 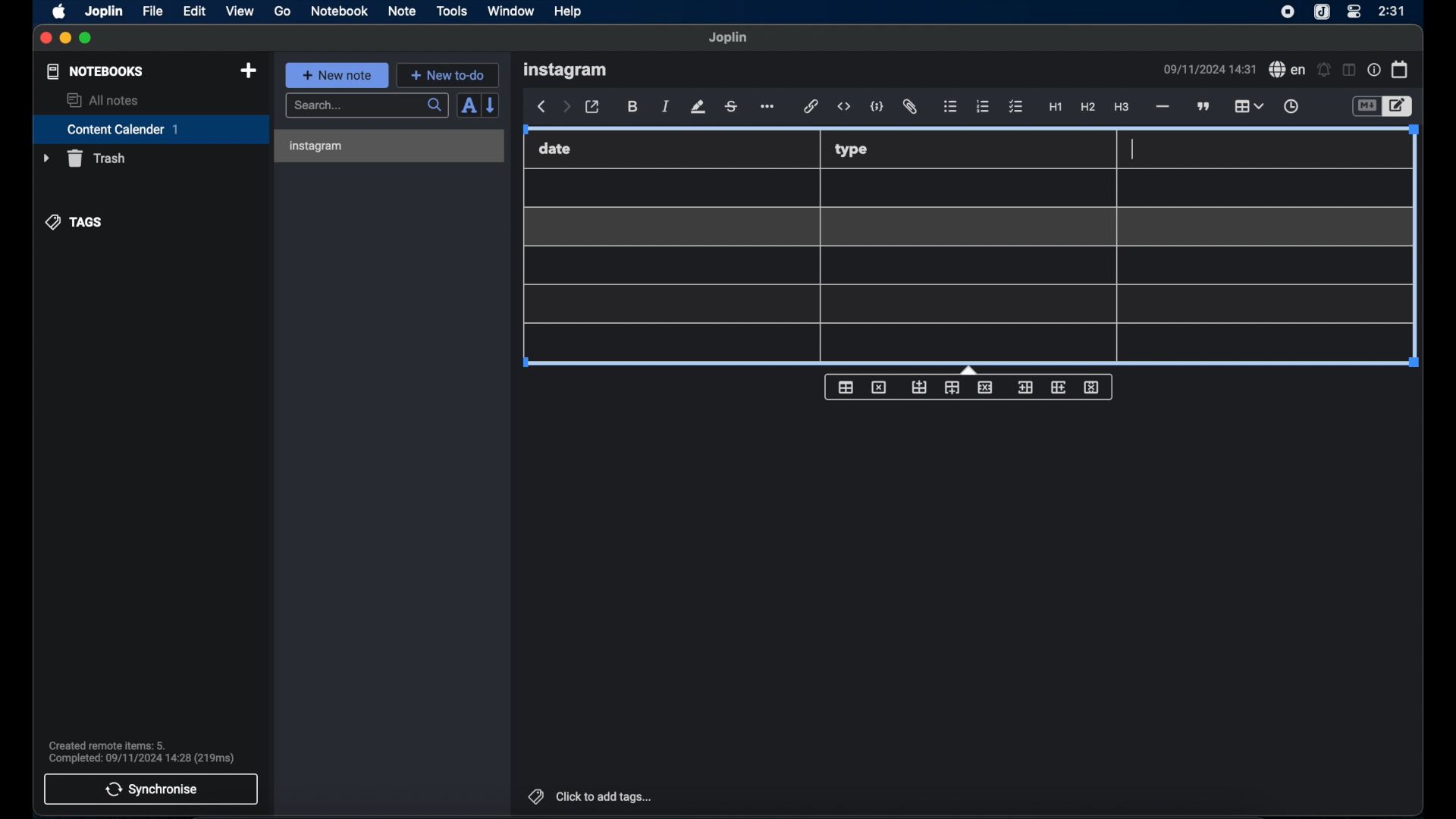 I want to click on go, so click(x=284, y=11).